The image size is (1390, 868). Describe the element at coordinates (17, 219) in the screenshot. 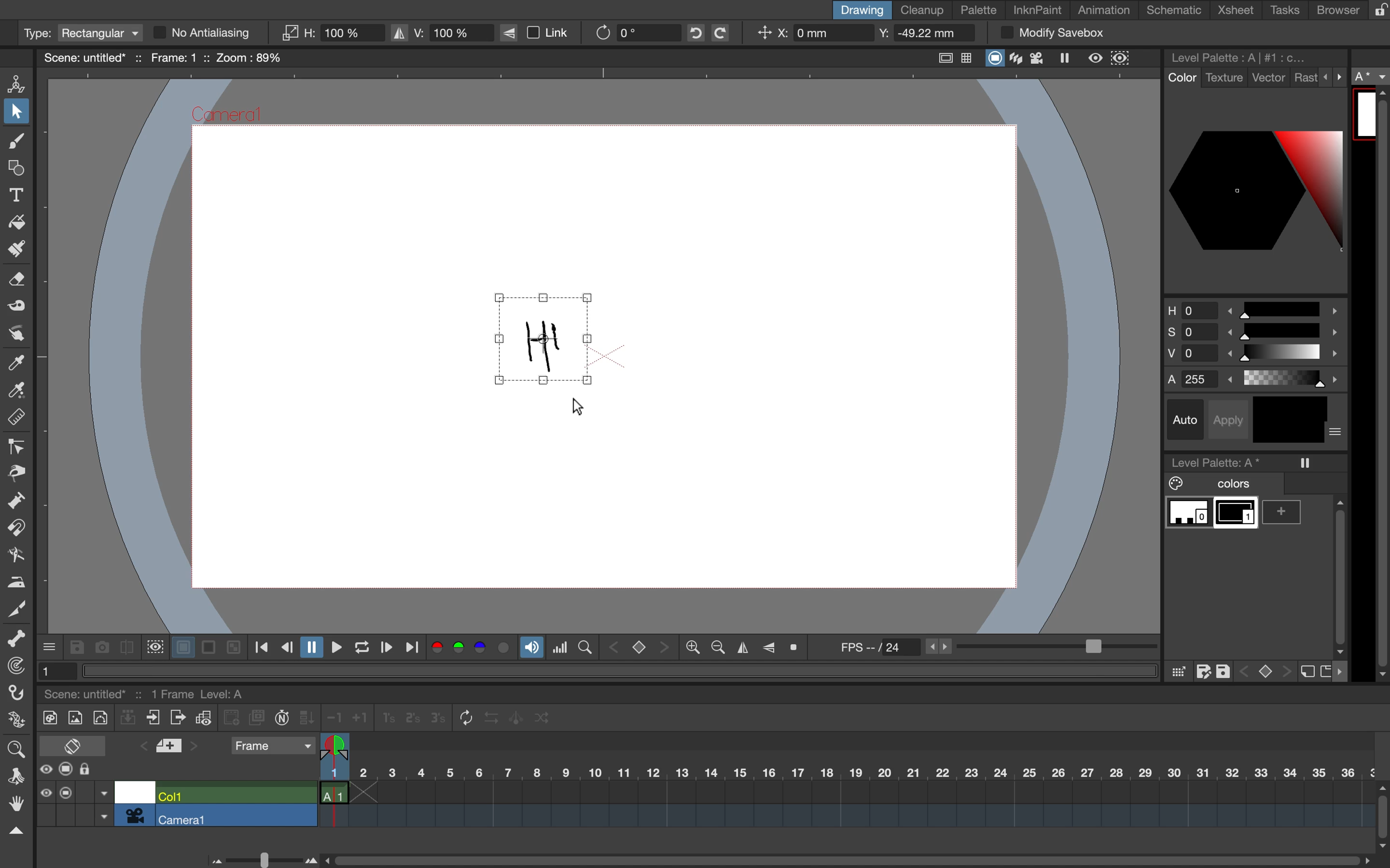

I see `fill tool` at that location.